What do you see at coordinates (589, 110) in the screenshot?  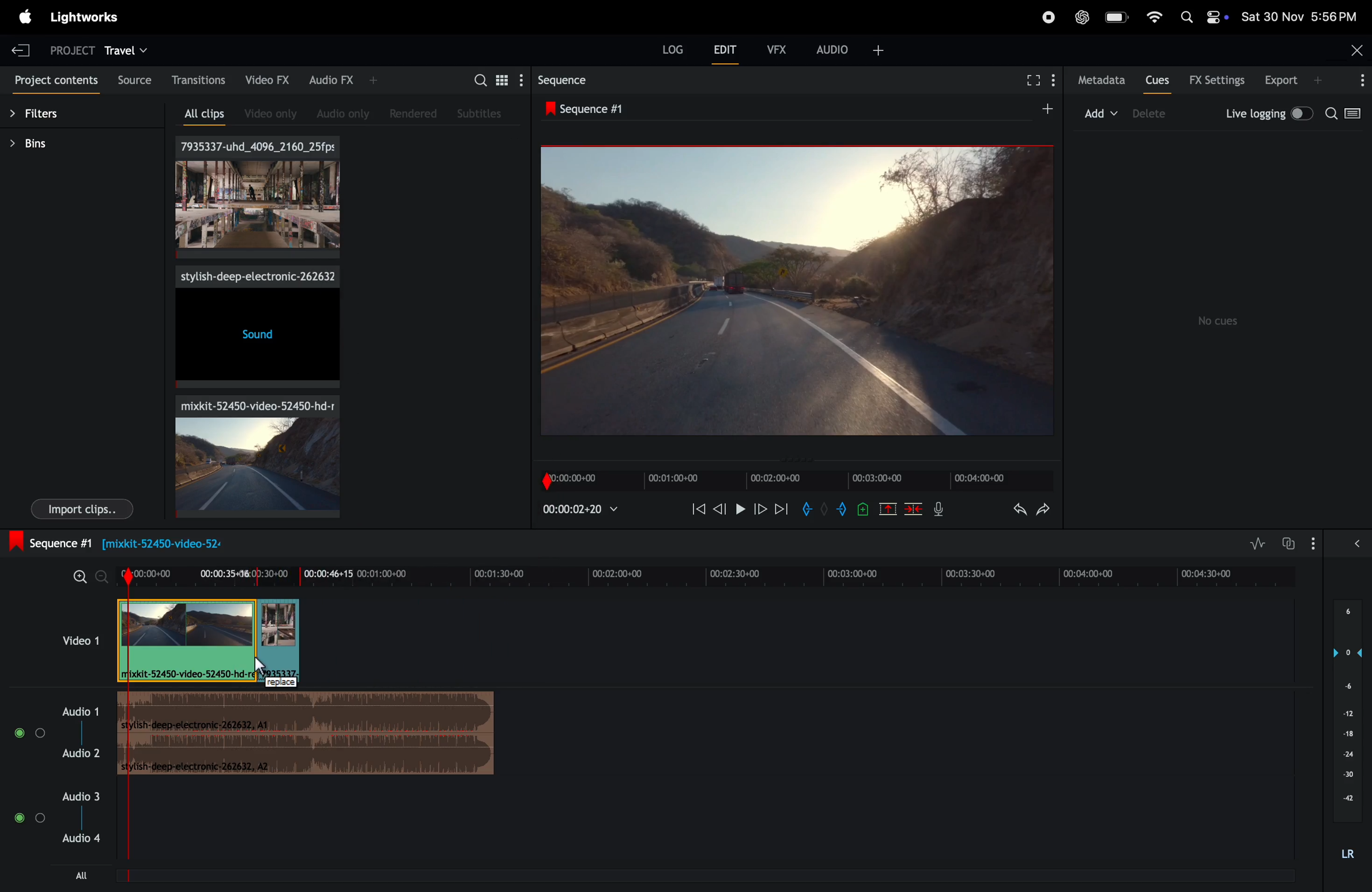 I see `sequence #1` at bounding box center [589, 110].